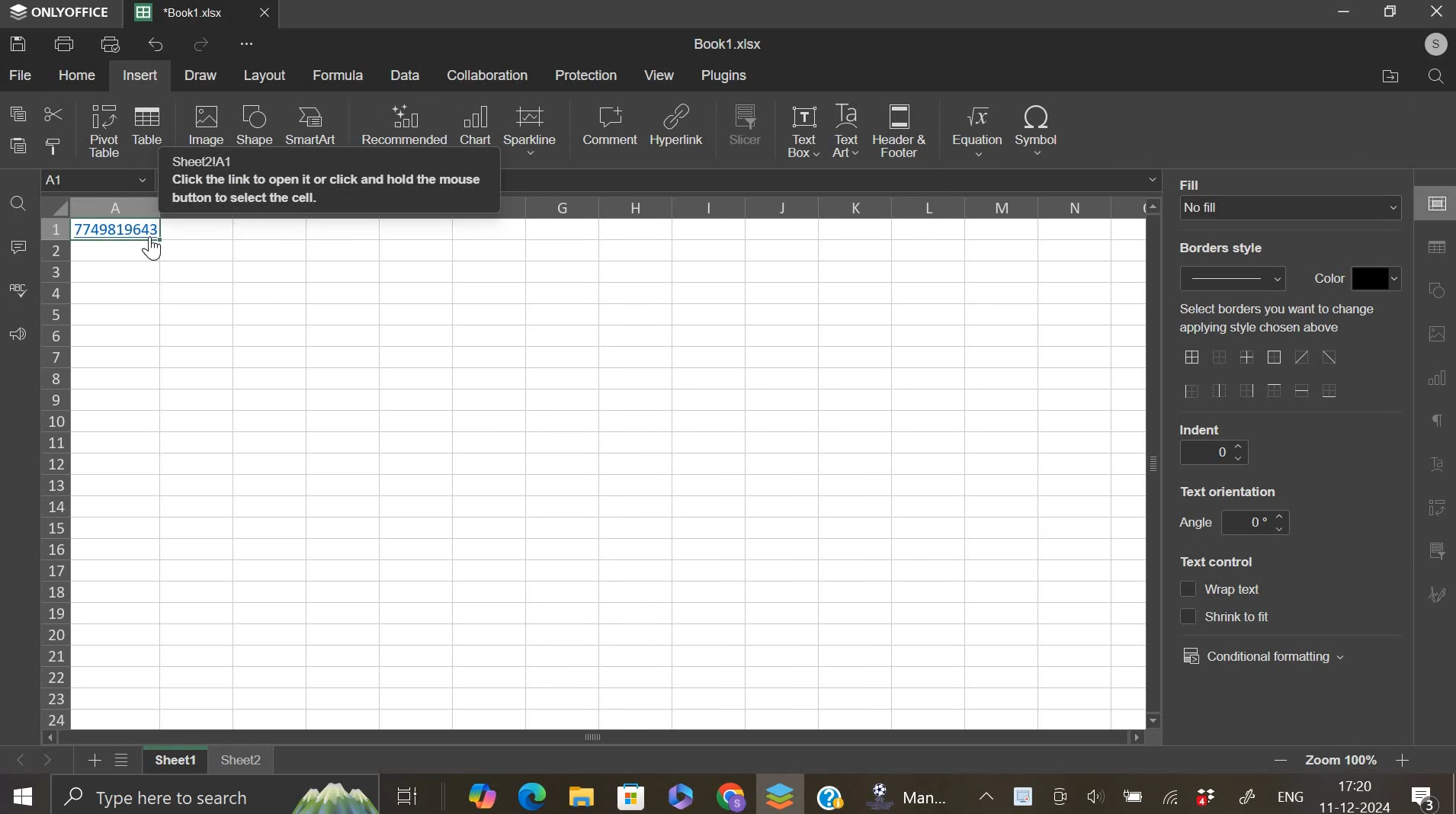 This screenshot has height=814, width=1456. Describe the element at coordinates (1255, 522) in the screenshot. I see `text orientation angle` at that location.